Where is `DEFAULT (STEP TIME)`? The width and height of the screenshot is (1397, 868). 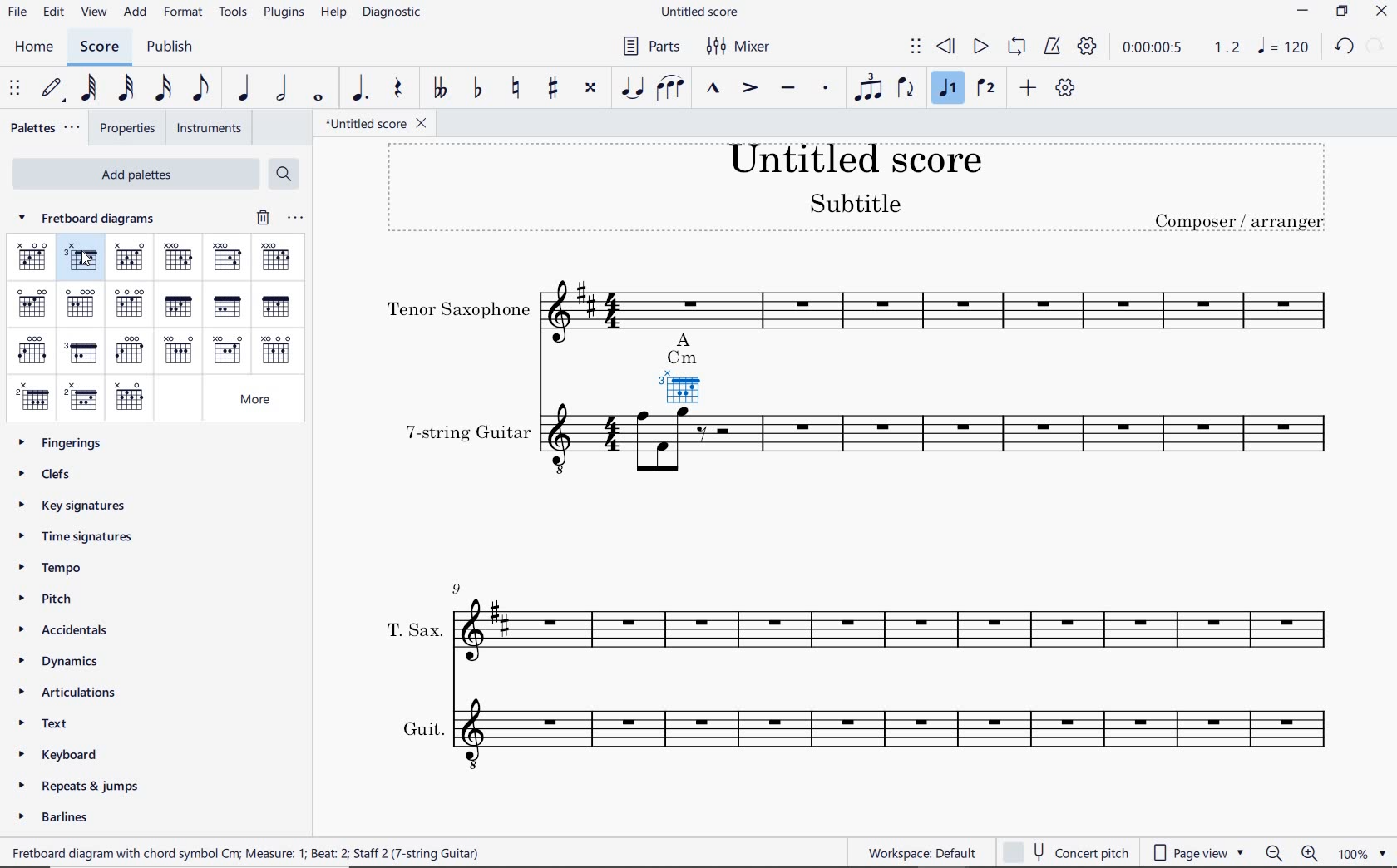
DEFAULT (STEP TIME) is located at coordinates (52, 91).